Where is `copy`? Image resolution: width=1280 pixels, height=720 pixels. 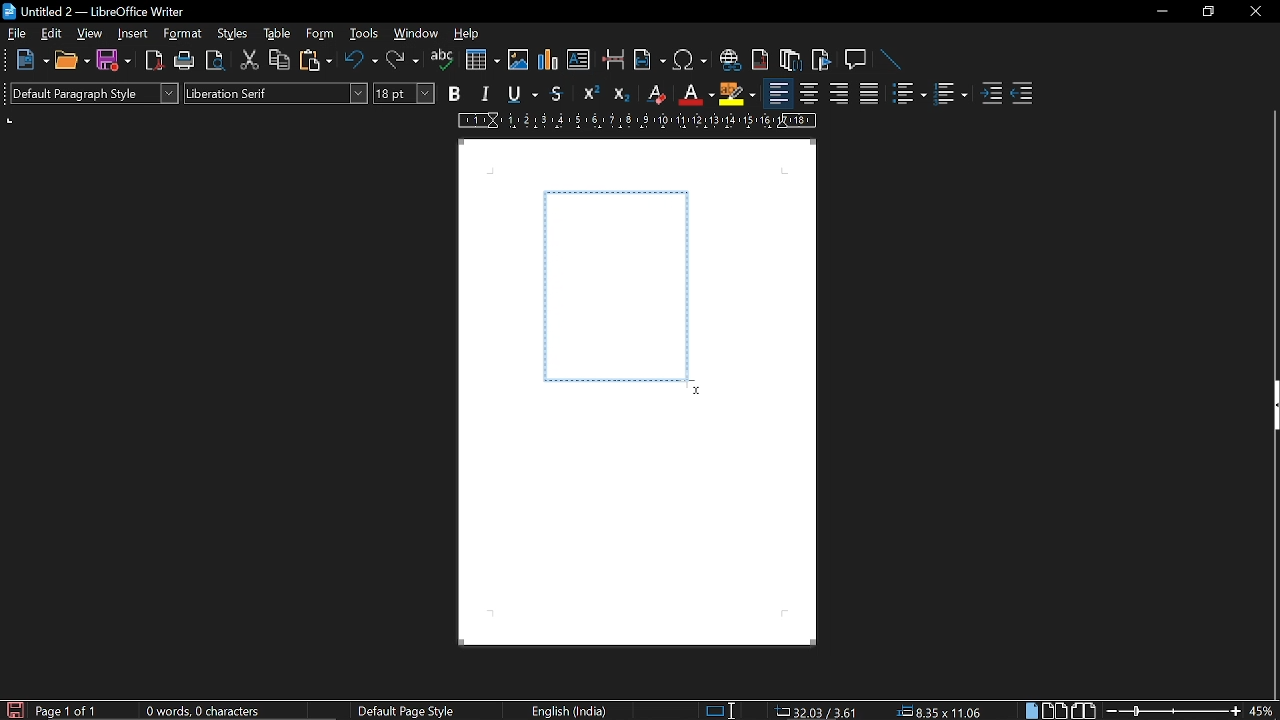 copy is located at coordinates (278, 61).